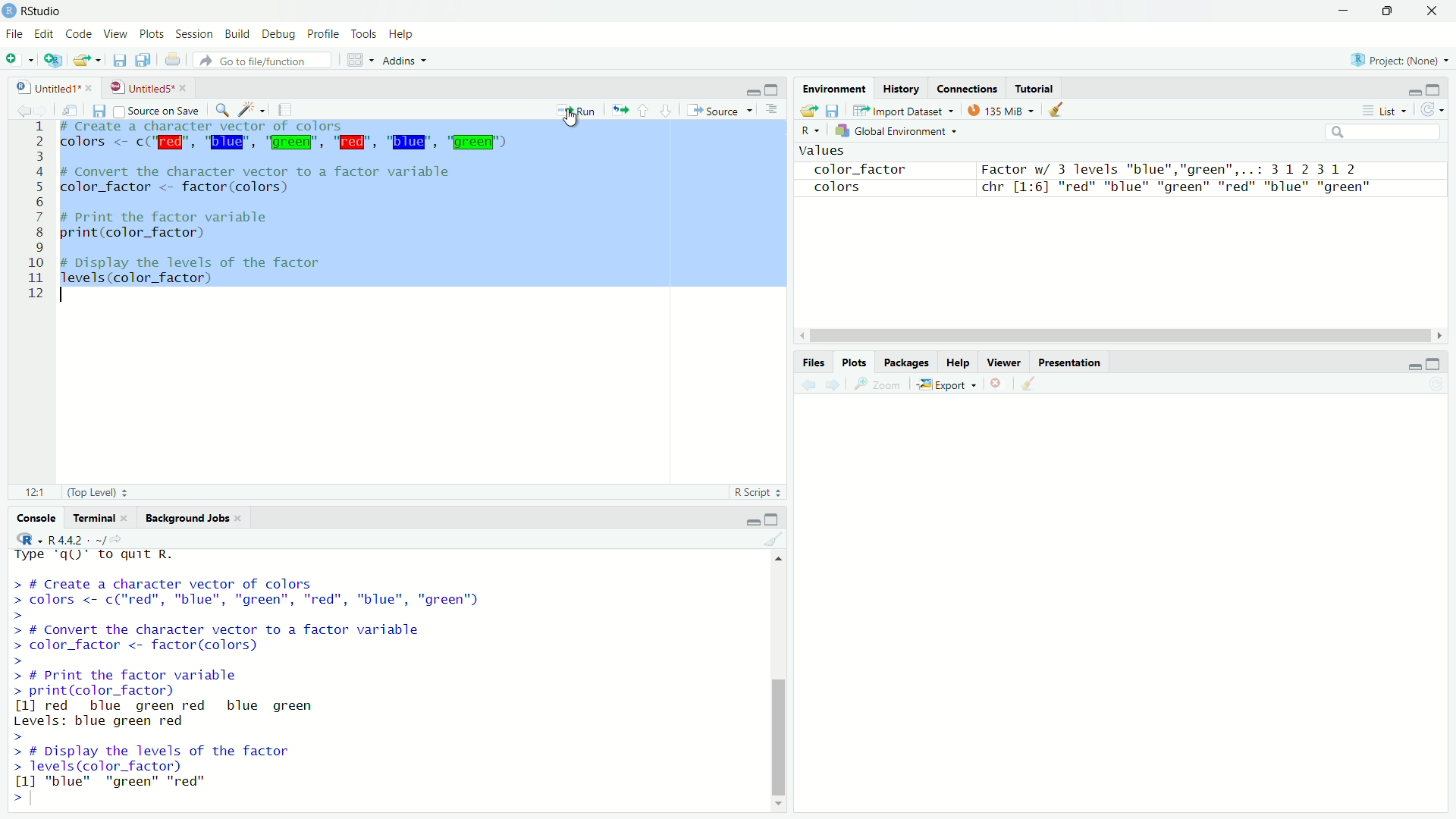  Describe the element at coordinates (117, 59) in the screenshot. I see `save current document` at that location.